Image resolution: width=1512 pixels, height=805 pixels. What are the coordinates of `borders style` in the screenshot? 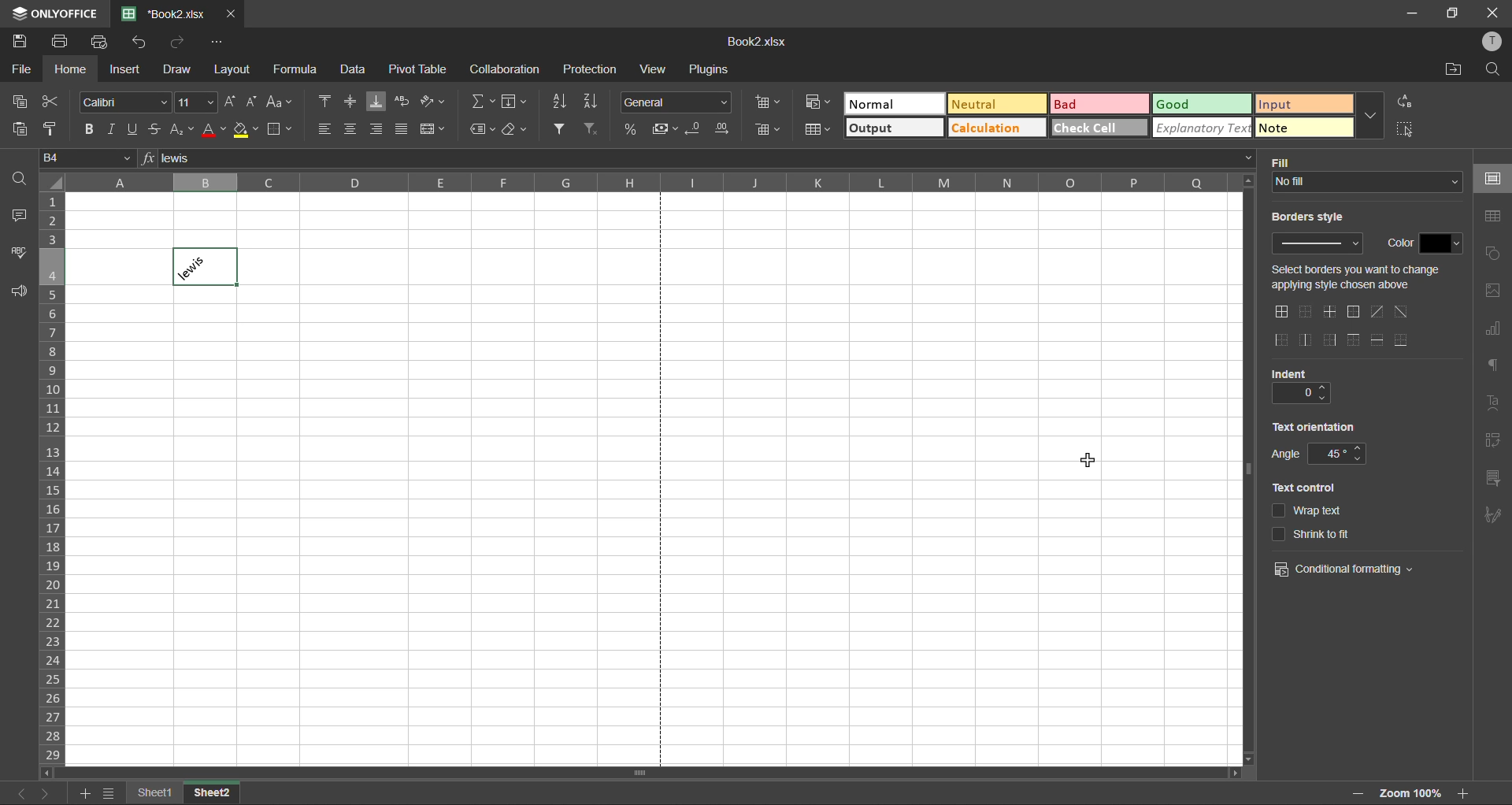 It's located at (1313, 217).